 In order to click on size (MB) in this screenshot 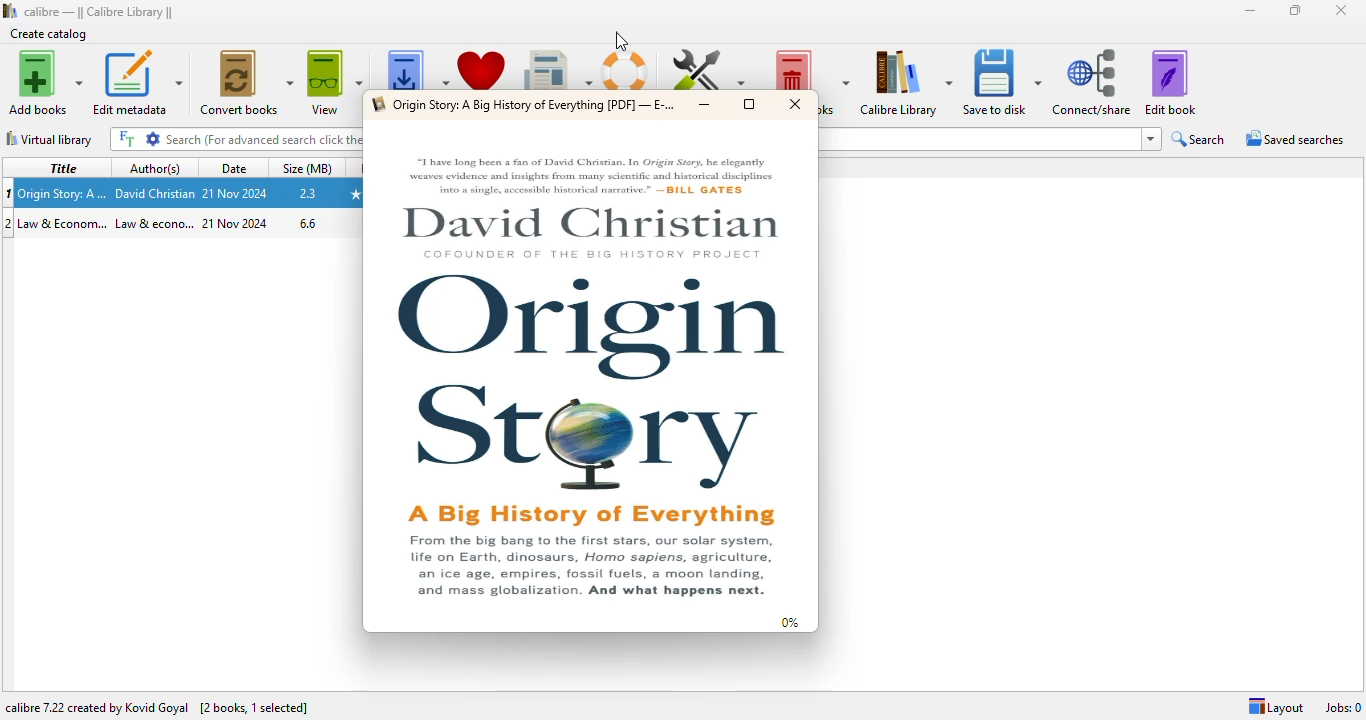, I will do `click(309, 167)`.